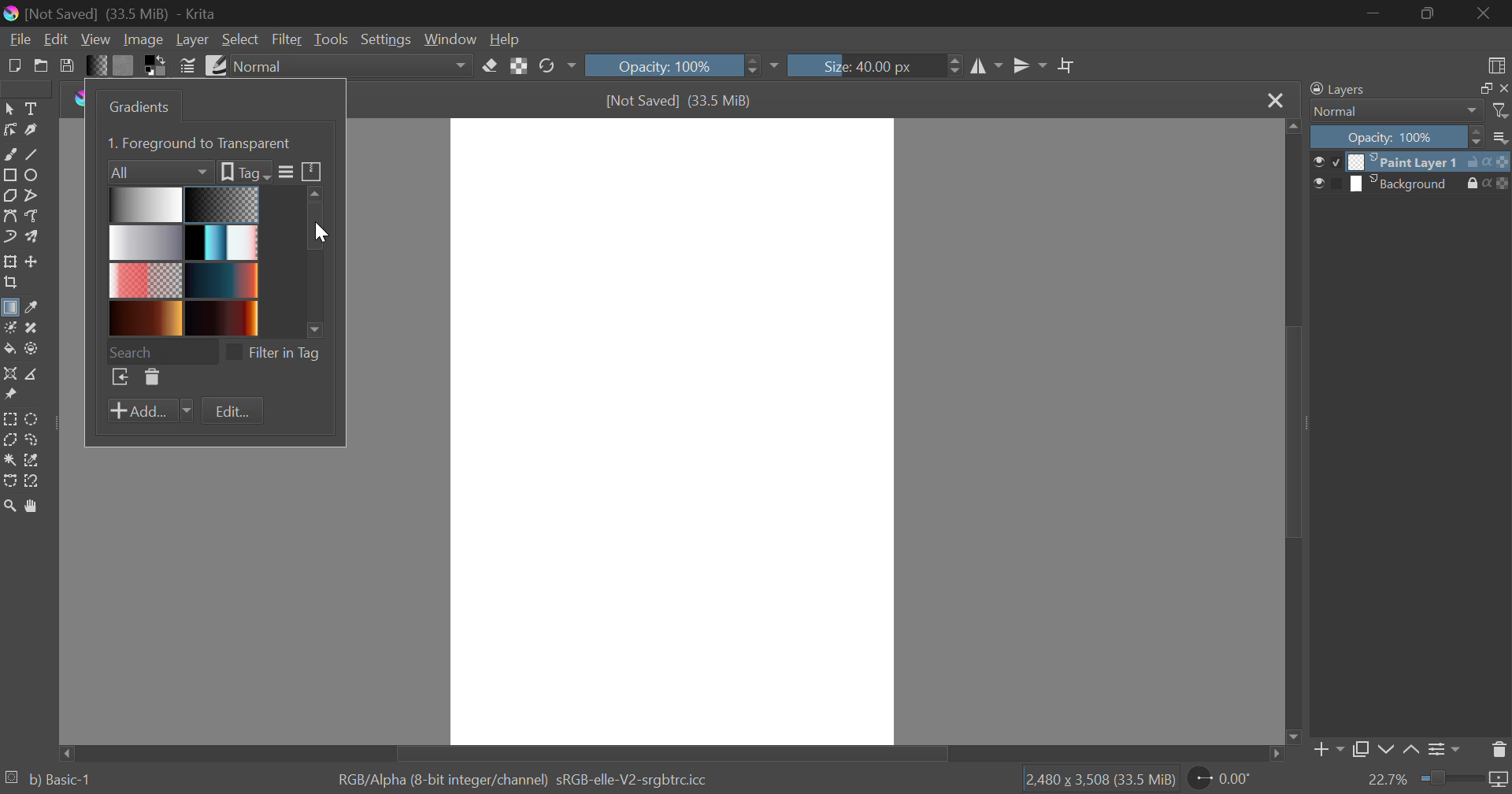 This screenshot has height=794, width=1512. Describe the element at coordinates (9, 459) in the screenshot. I see `Continuous Selection` at that location.